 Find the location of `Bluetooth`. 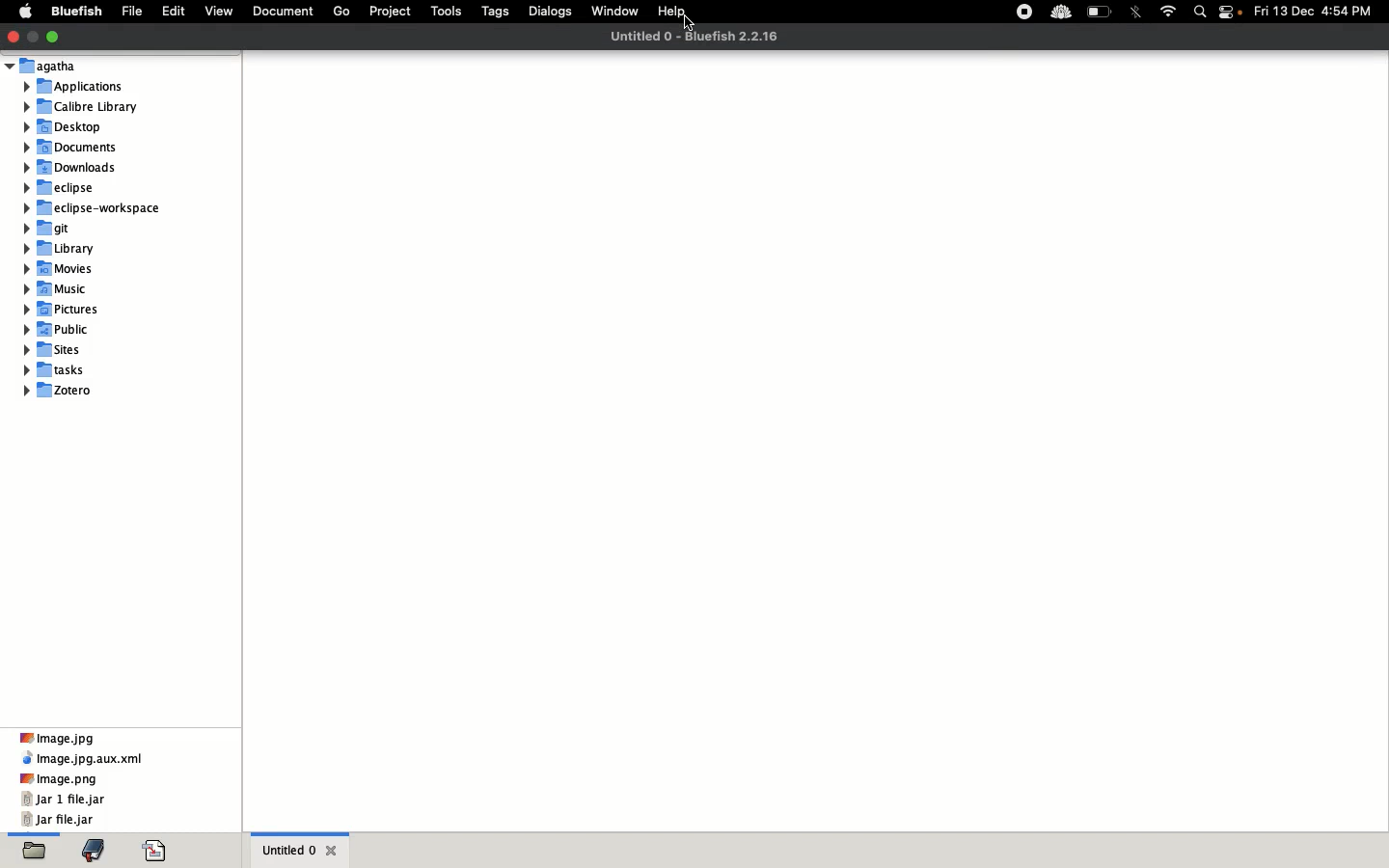

Bluetooth is located at coordinates (1136, 14).